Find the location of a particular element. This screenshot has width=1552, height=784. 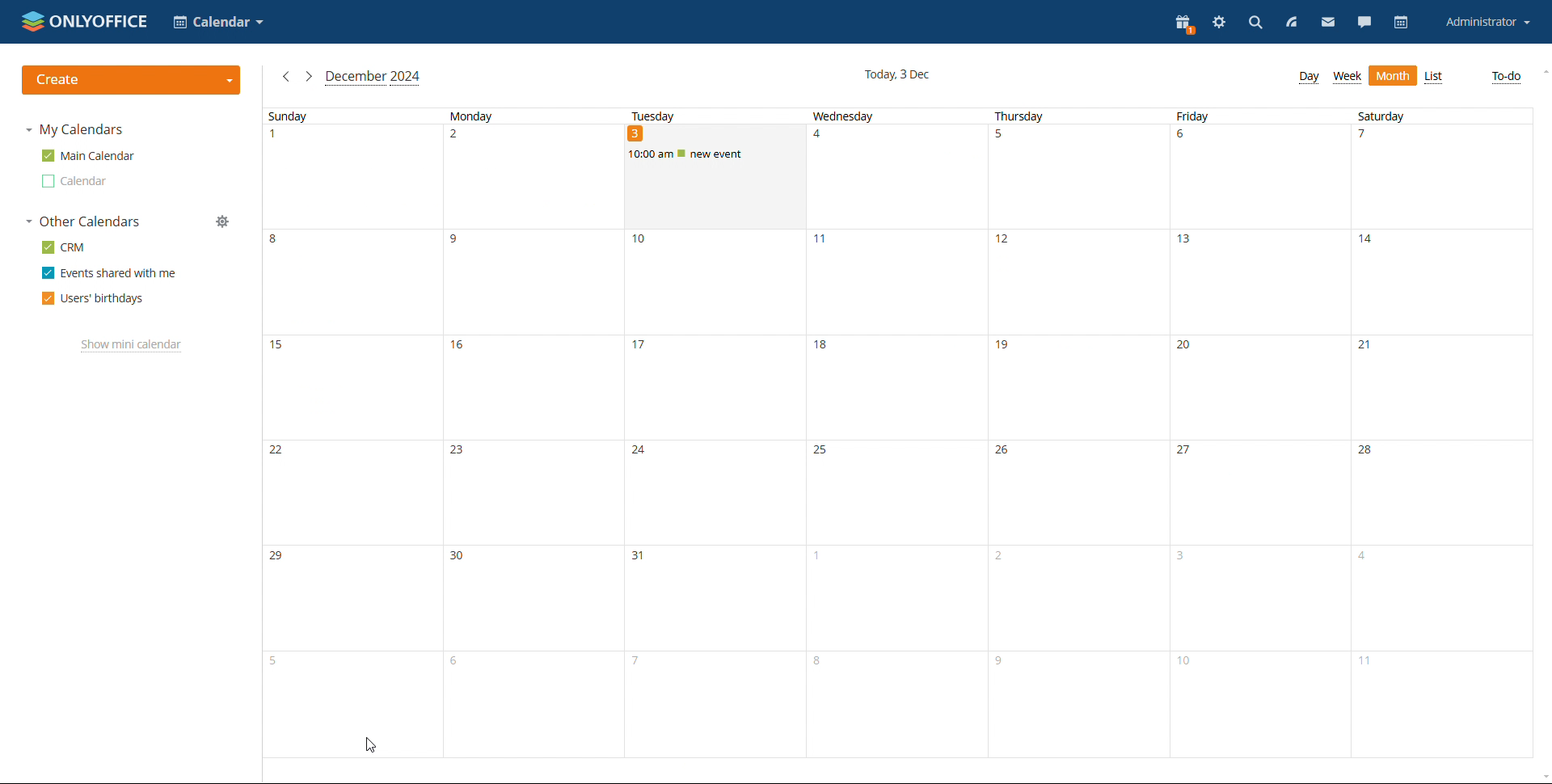

9 is located at coordinates (1079, 704).